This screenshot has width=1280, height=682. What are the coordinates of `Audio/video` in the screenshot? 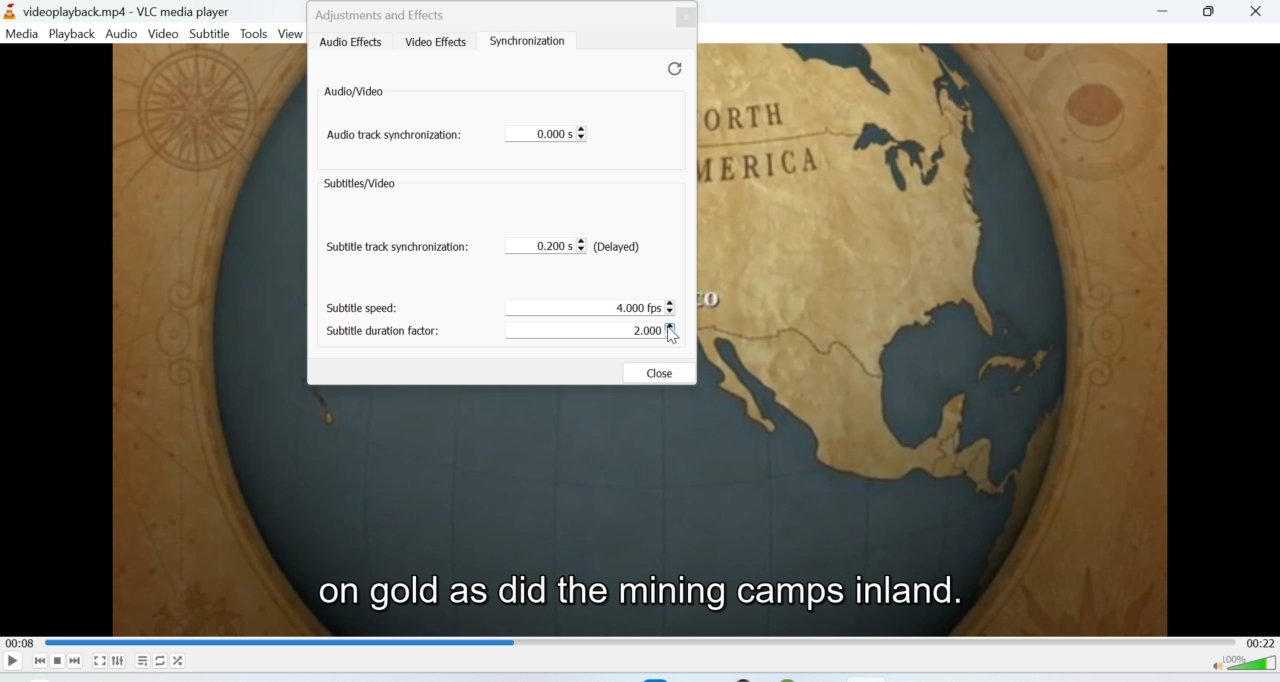 It's located at (356, 92).